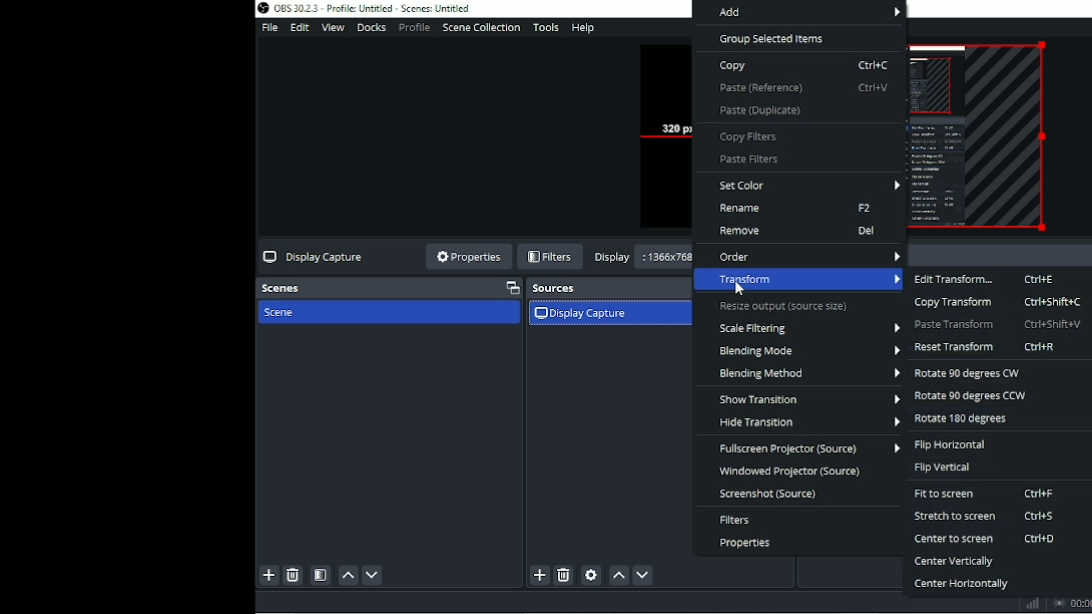 Image resolution: width=1092 pixels, height=614 pixels. What do you see at coordinates (960, 584) in the screenshot?
I see `Center horizontally` at bounding box center [960, 584].